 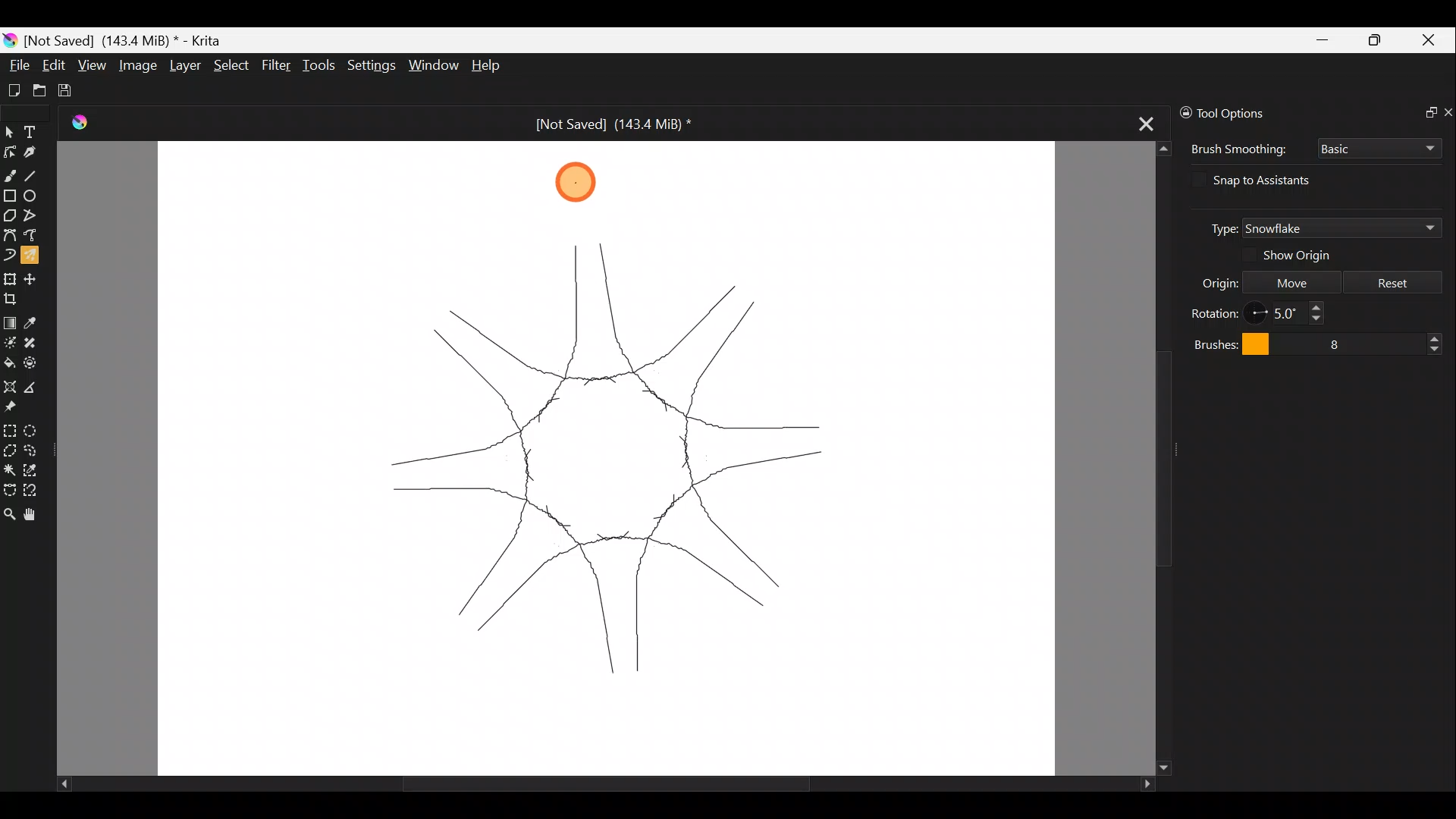 What do you see at coordinates (496, 65) in the screenshot?
I see `Help` at bounding box center [496, 65].